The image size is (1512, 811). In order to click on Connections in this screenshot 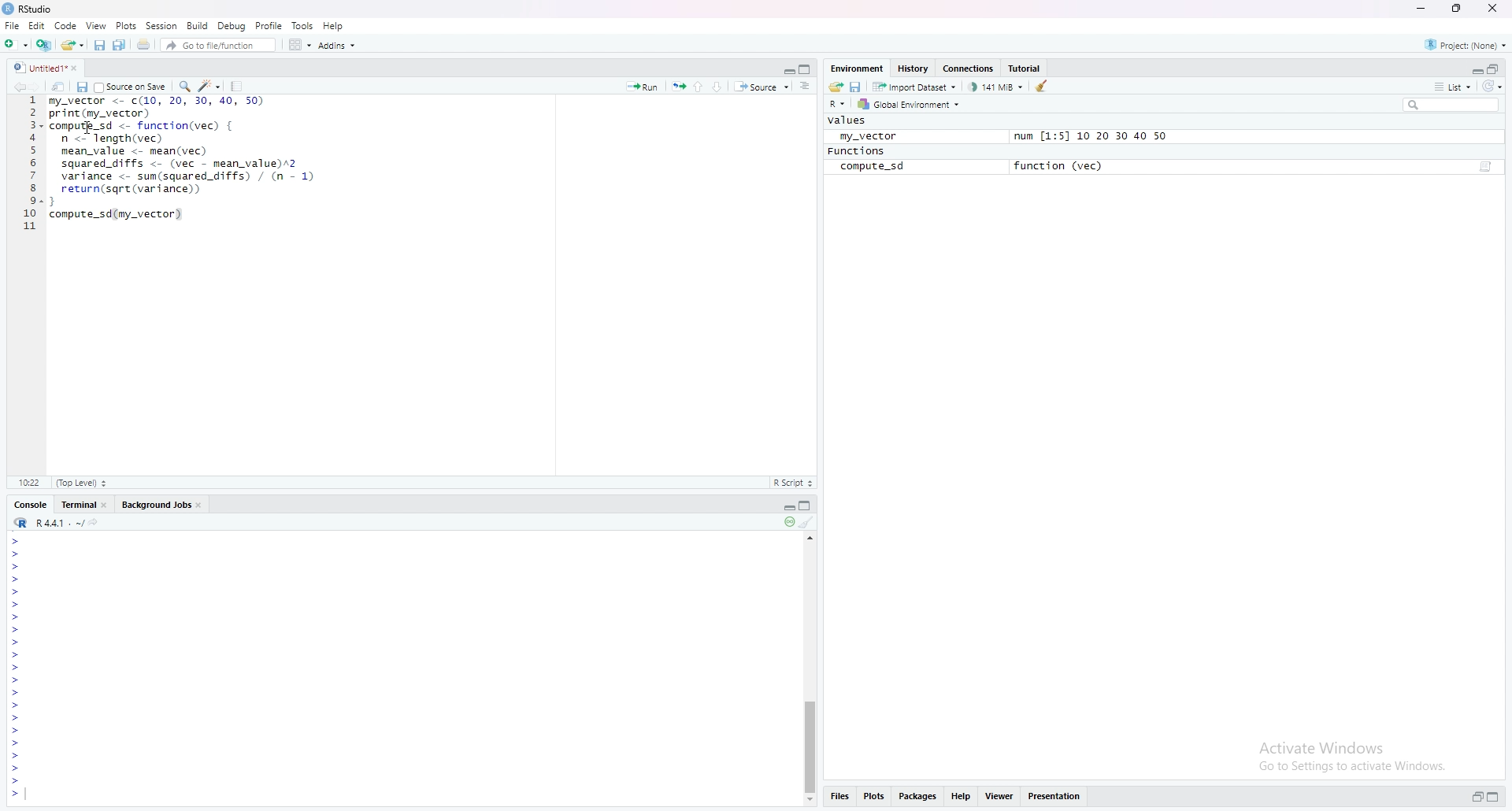, I will do `click(969, 69)`.